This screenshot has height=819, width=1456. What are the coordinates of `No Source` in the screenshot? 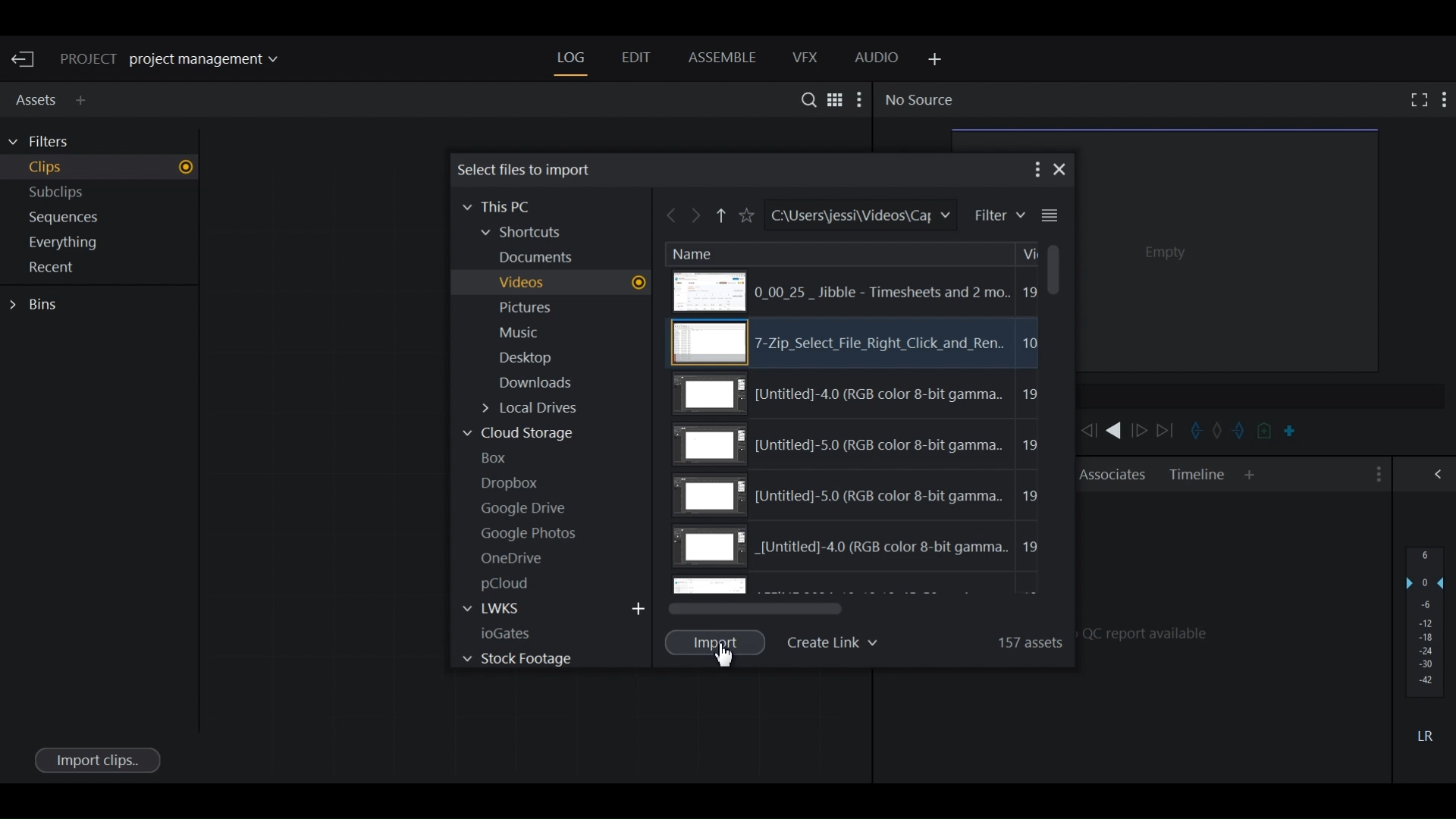 It's located at (918, 100).